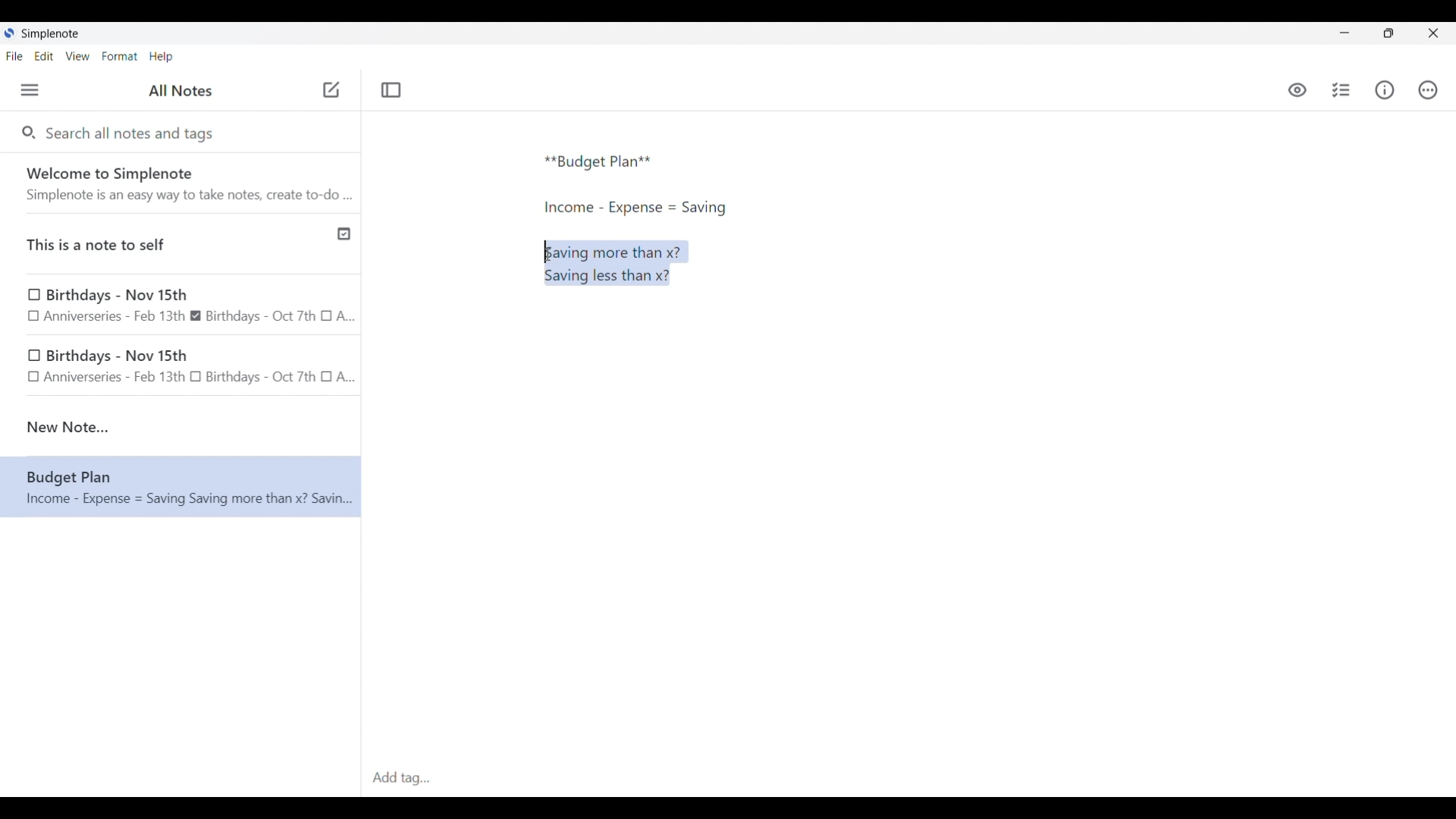 This screenshot has width=1456, height=819. Describe the element at coordinates (634, 208) in the screenshot. I see `More text typed in` at that location.